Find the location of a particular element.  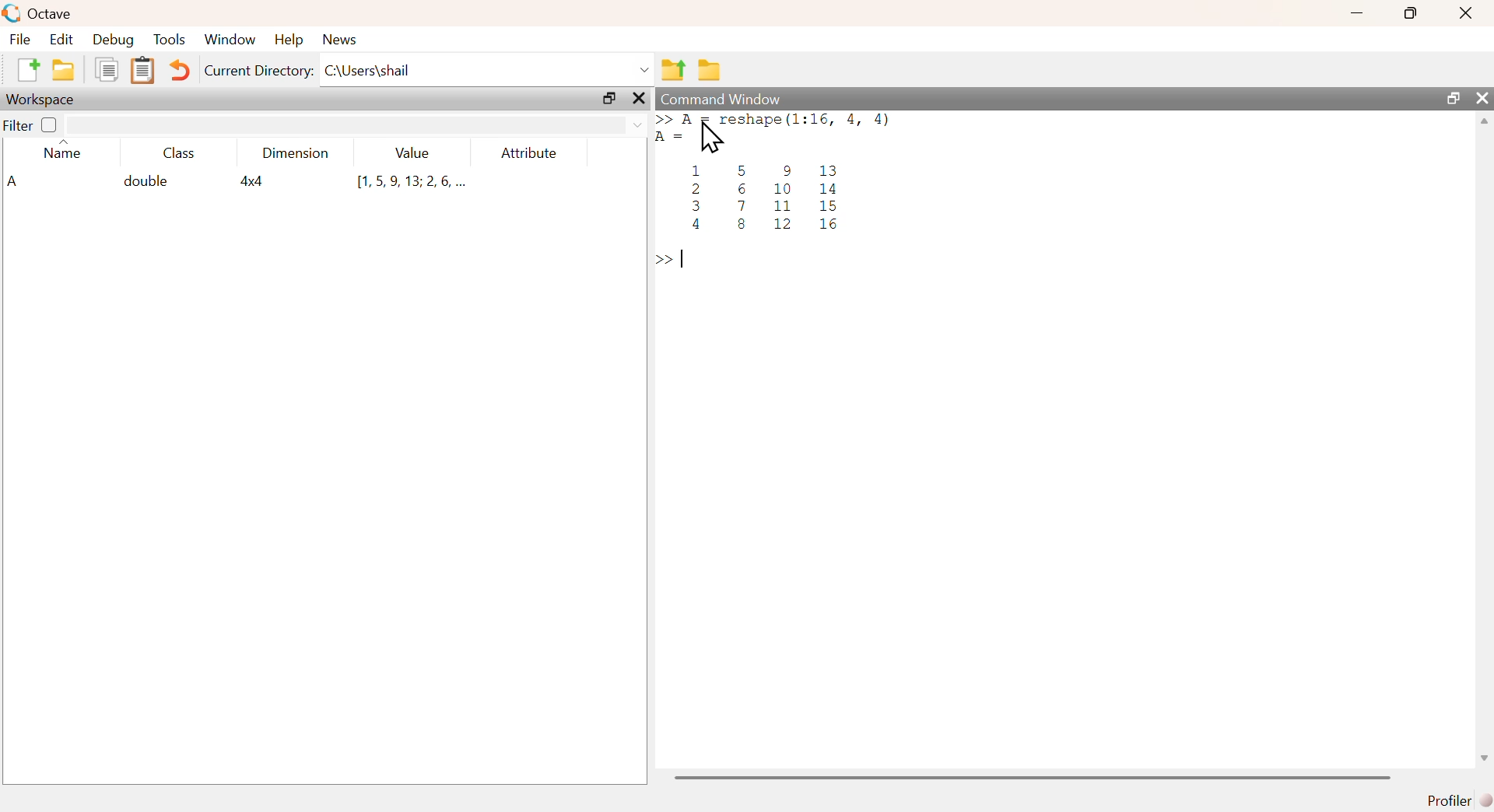

Tools is located at coordinates (170, 39).